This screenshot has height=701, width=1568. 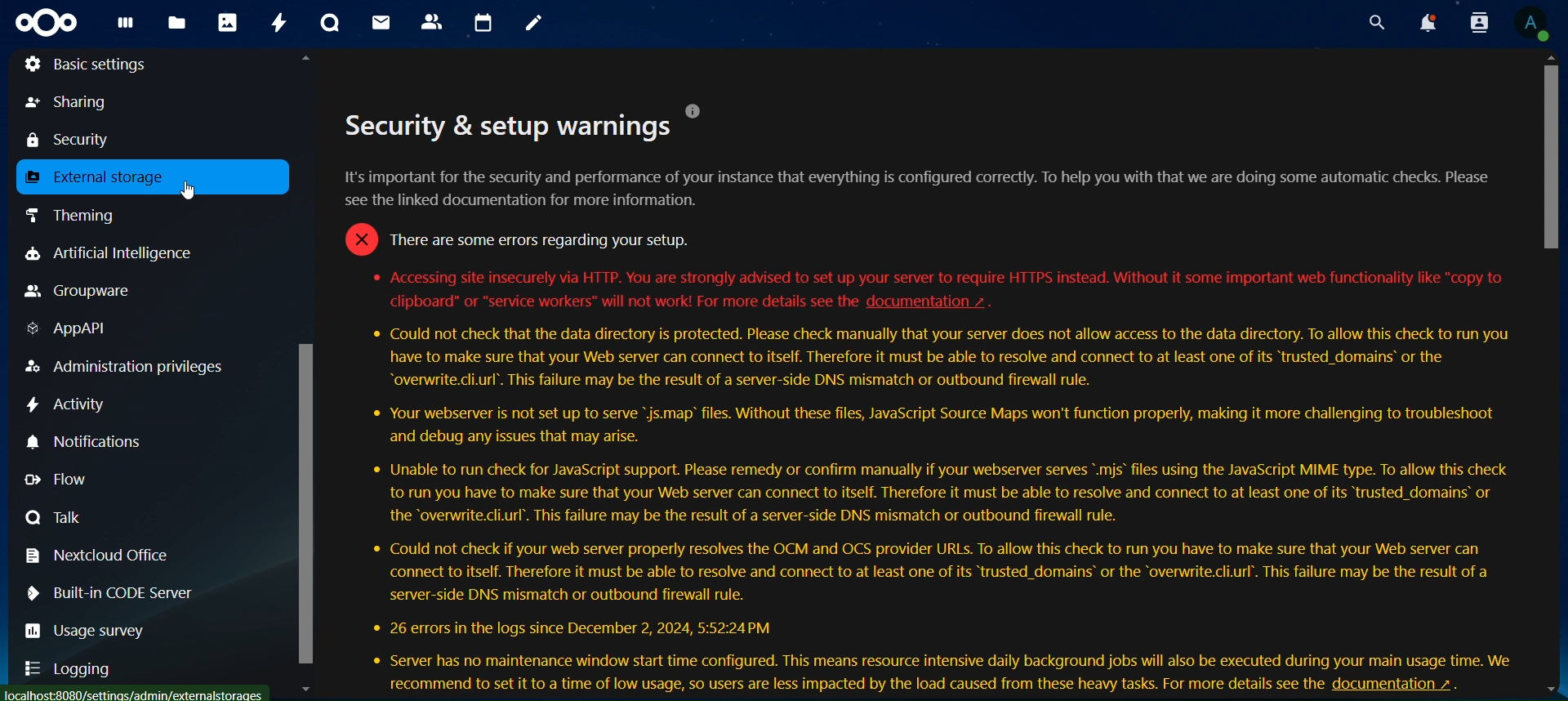 What do you see at coordinates (381, 24) in the screenshot?
I see `mail` at bounding box center [381, 24].